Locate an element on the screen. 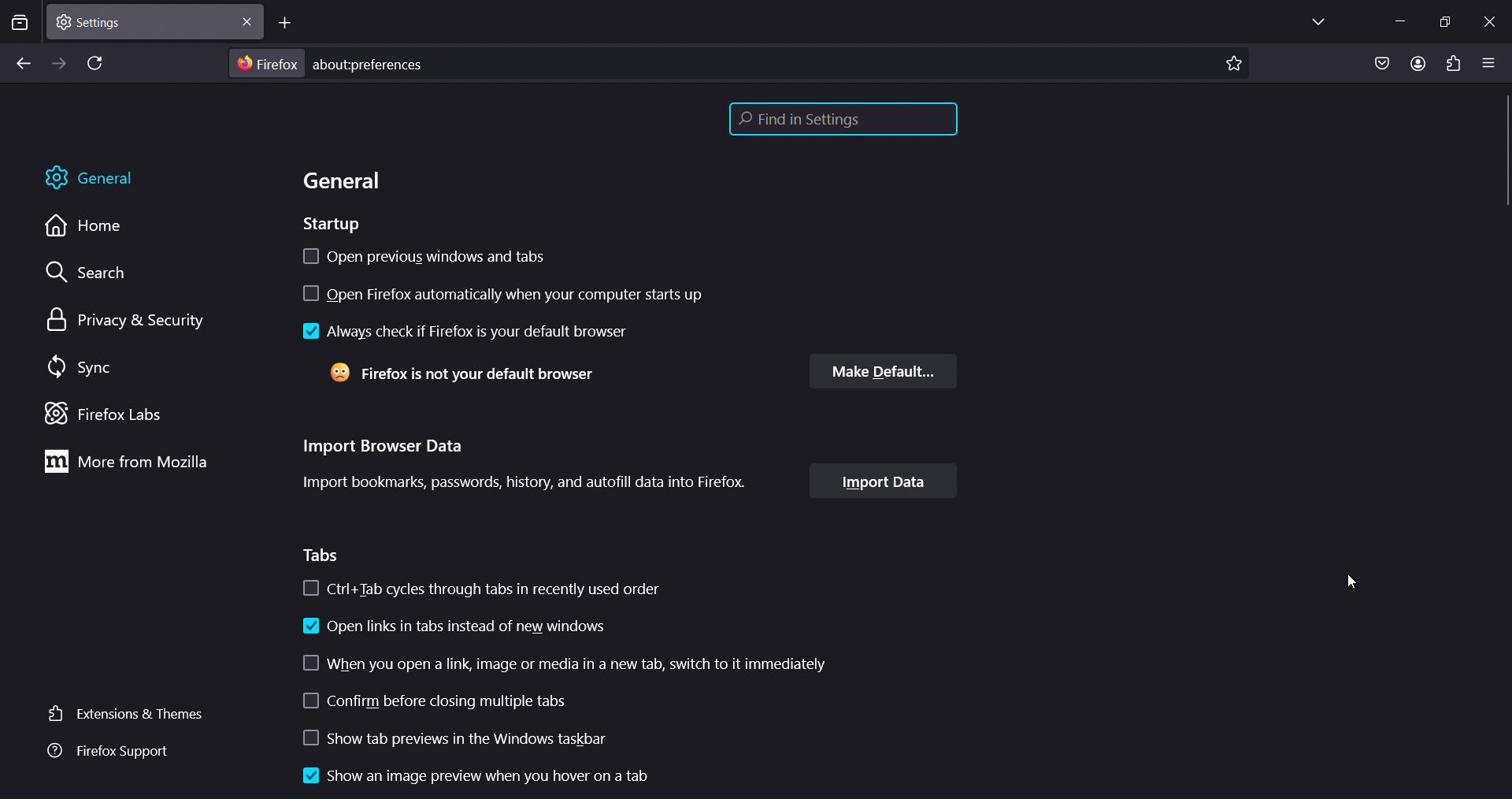 This screenshot has width=1512, height=799. extensions is located at coordinates (1454, 65).